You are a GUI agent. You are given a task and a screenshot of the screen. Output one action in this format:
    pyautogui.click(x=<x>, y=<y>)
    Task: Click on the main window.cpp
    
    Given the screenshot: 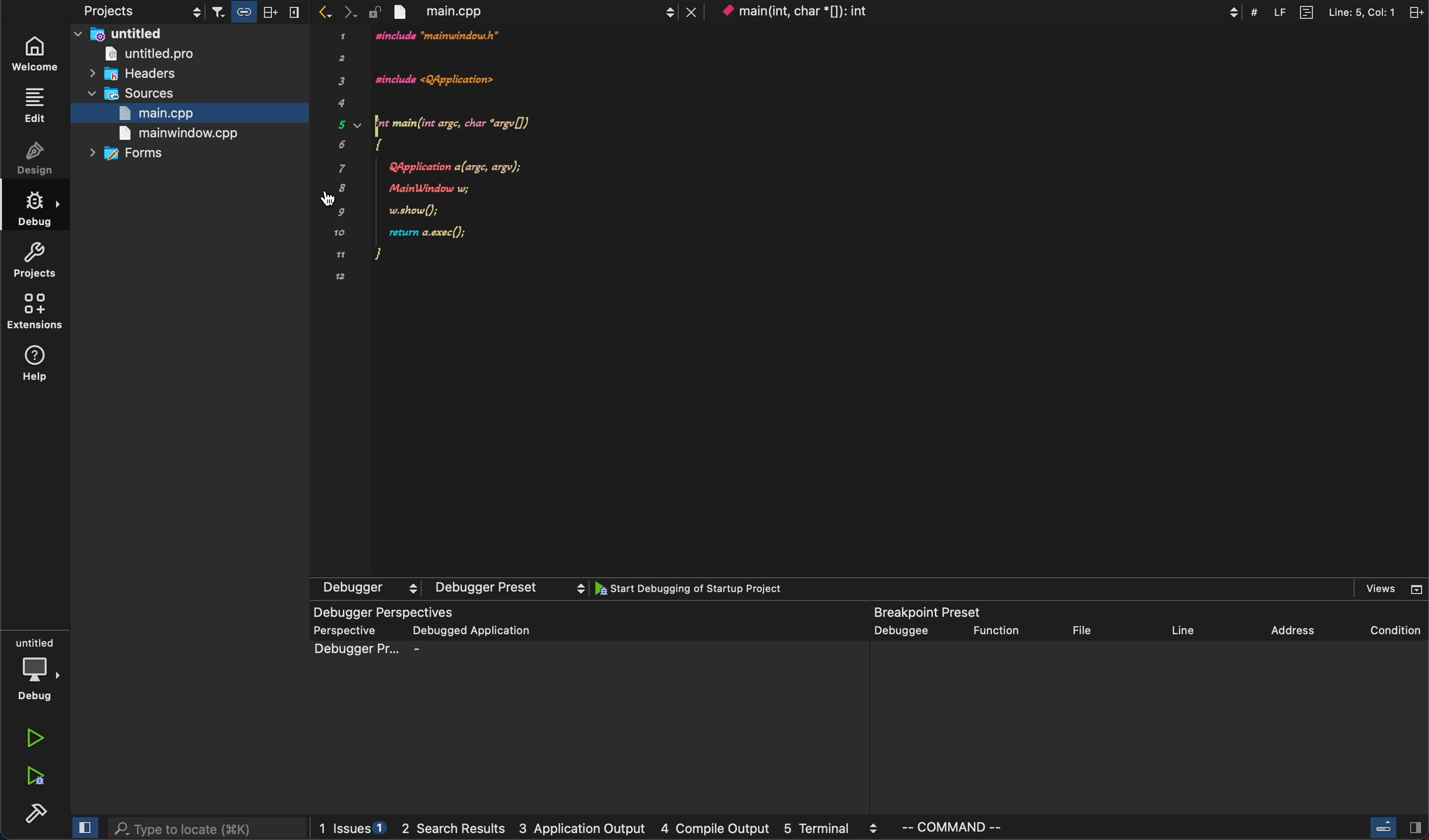 What is the action you would take?
    pyautogui.click(x=181, y=133)
    